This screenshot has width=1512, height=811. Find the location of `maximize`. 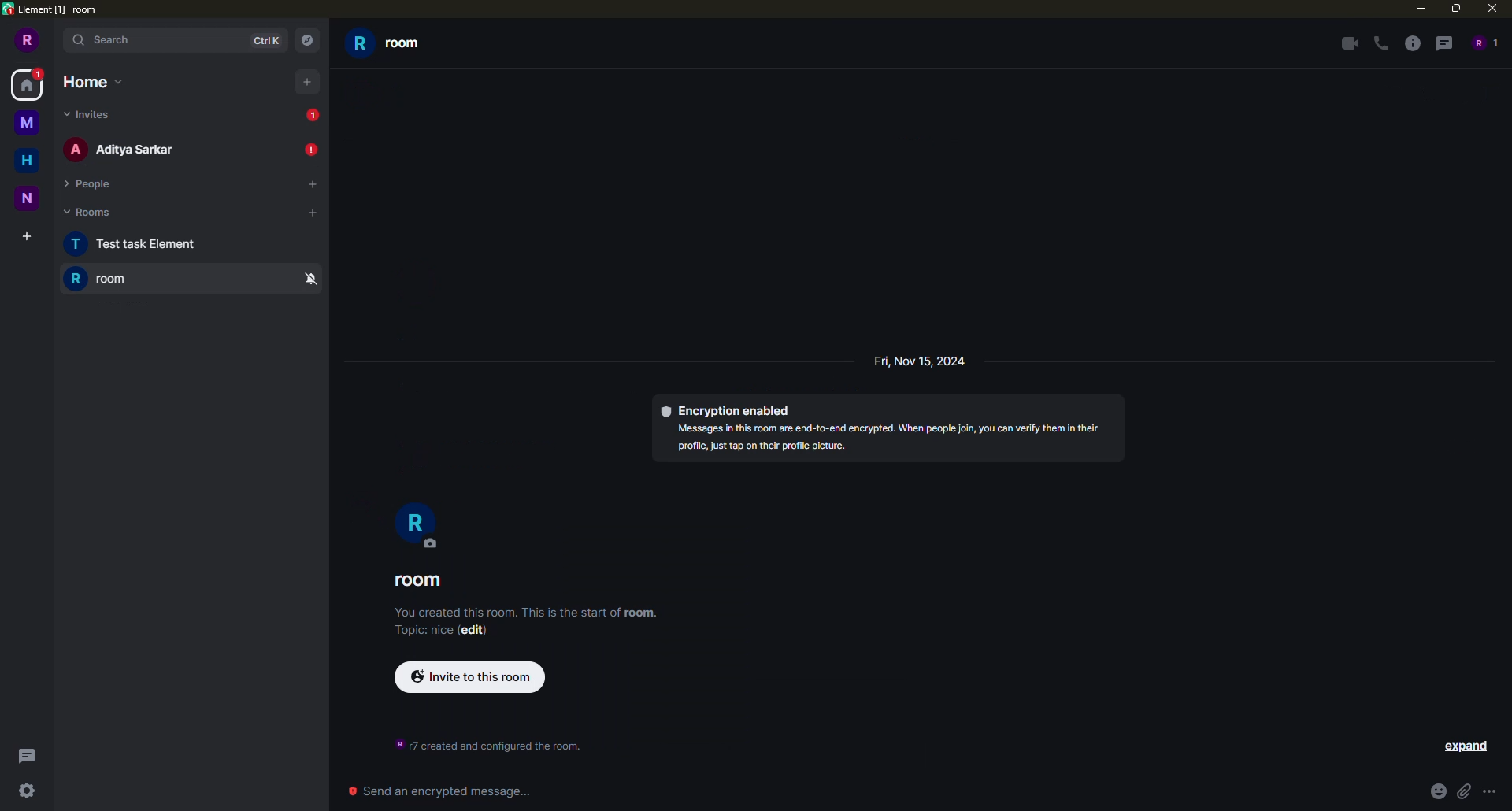

maximize is located at coordinates (1455, 8).